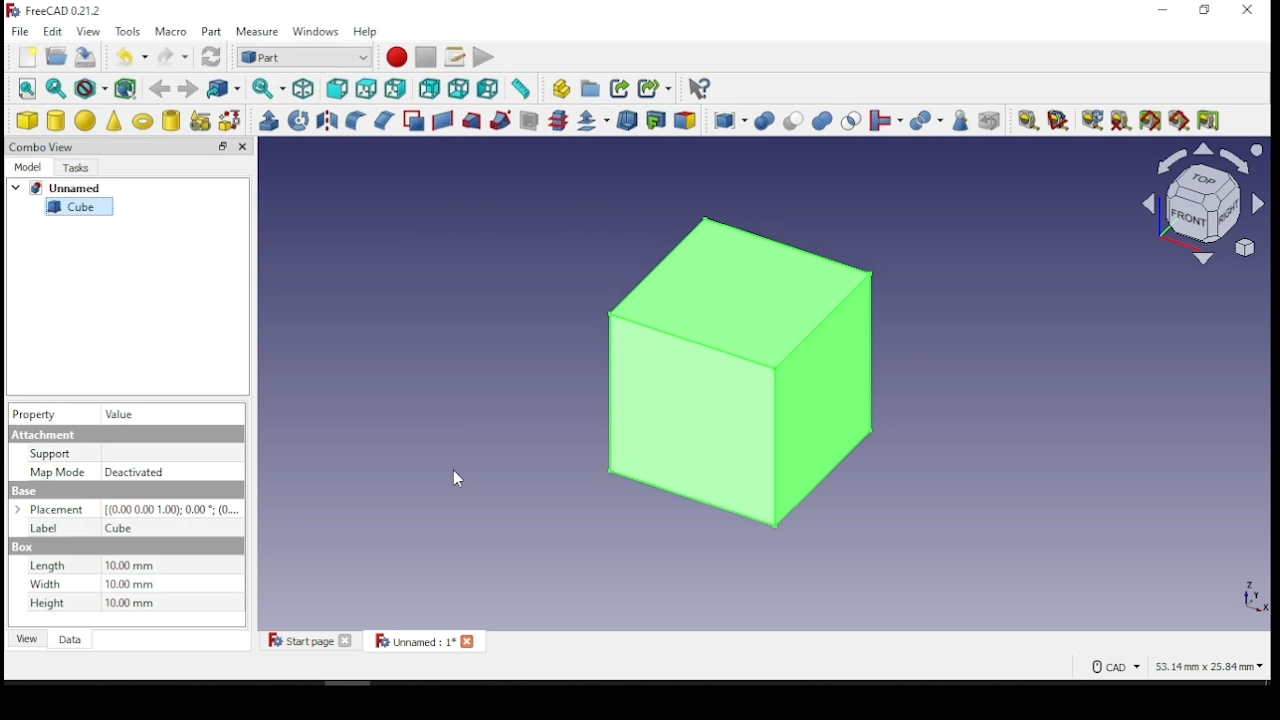 This screenshot has width=1280, height=720. Describe the element at coordinates (588, 88) in the screenshot. I see `create group` at that location.